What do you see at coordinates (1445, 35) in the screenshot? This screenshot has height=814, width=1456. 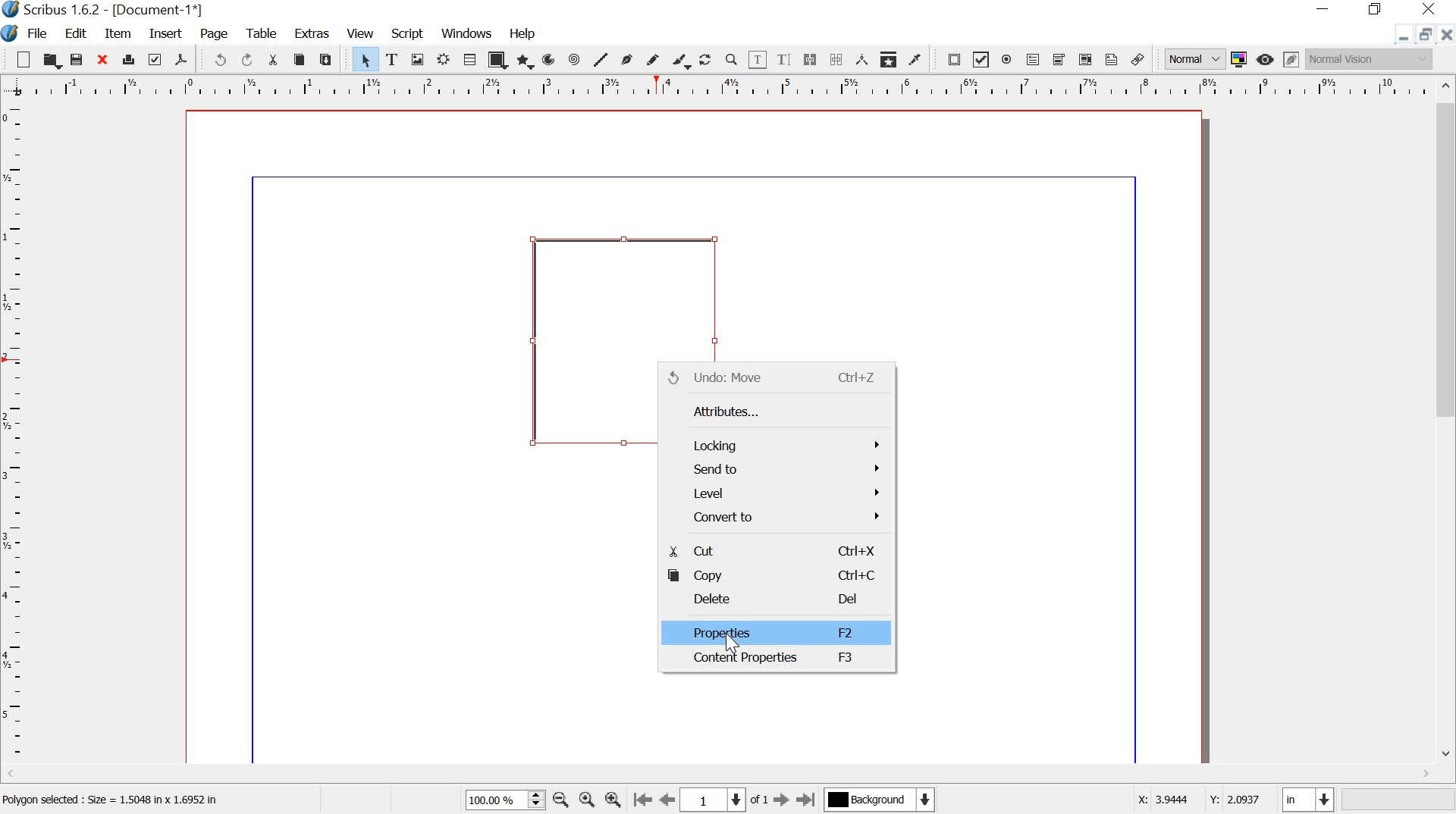 I see `close document` at bounding box center [1445, 35].